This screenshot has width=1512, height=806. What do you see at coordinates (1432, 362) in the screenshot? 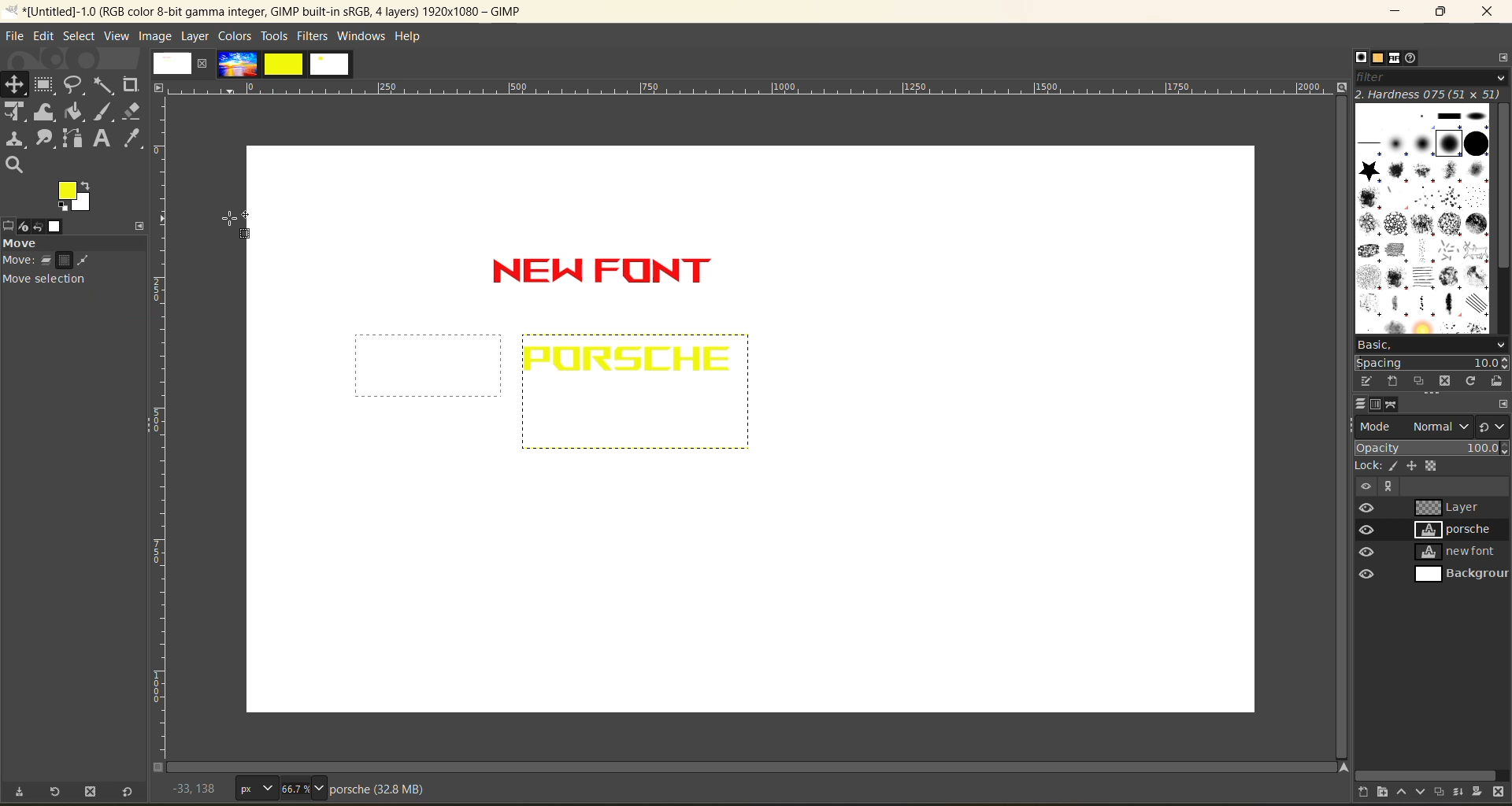
I see `spacing` at bounding box center [1432, 362].